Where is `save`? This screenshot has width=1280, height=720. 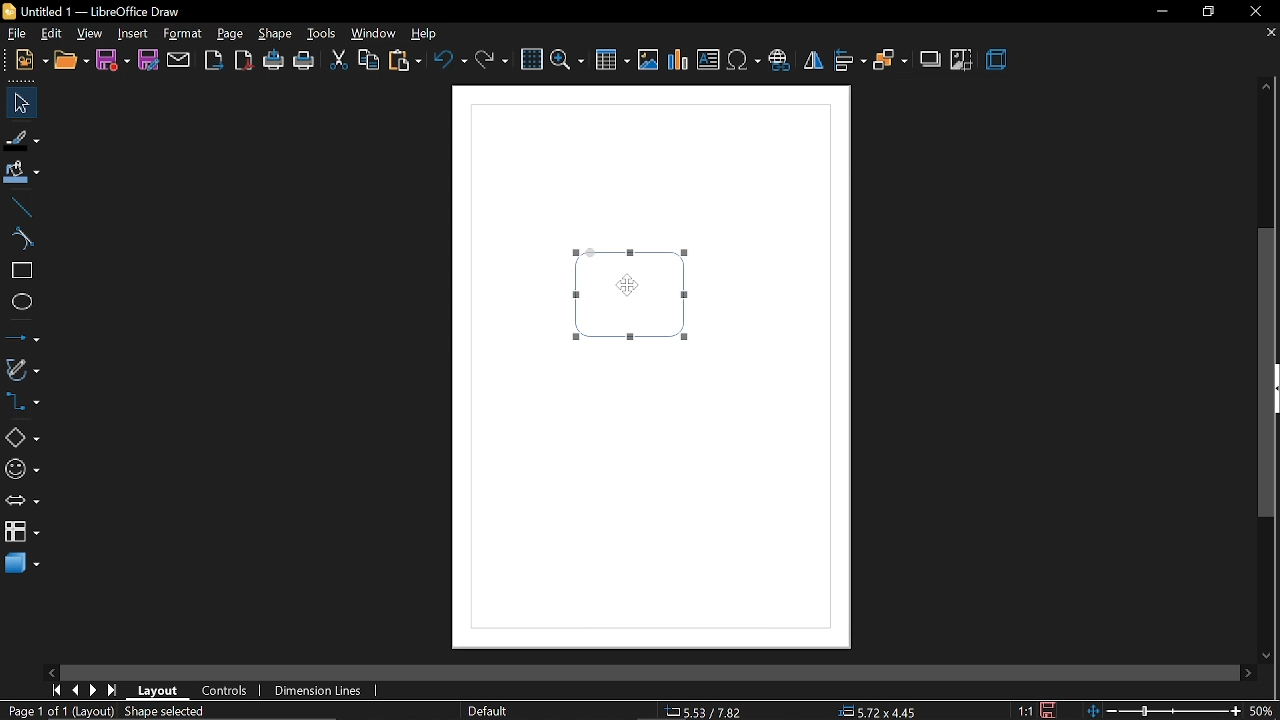
save is located at coordinates (113, 60).